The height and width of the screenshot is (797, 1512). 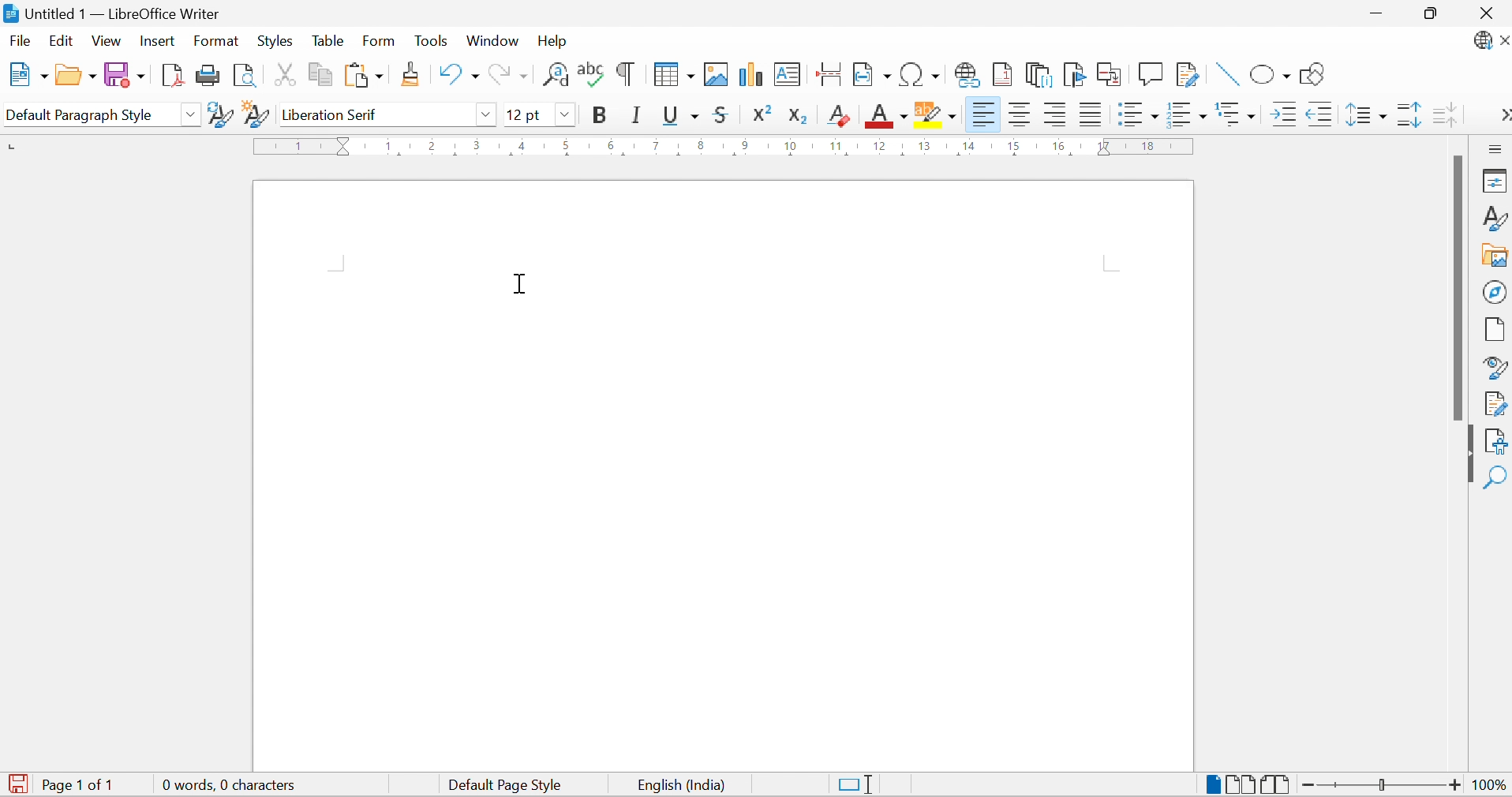 I want to click on Print, so click(x=207, y=75).